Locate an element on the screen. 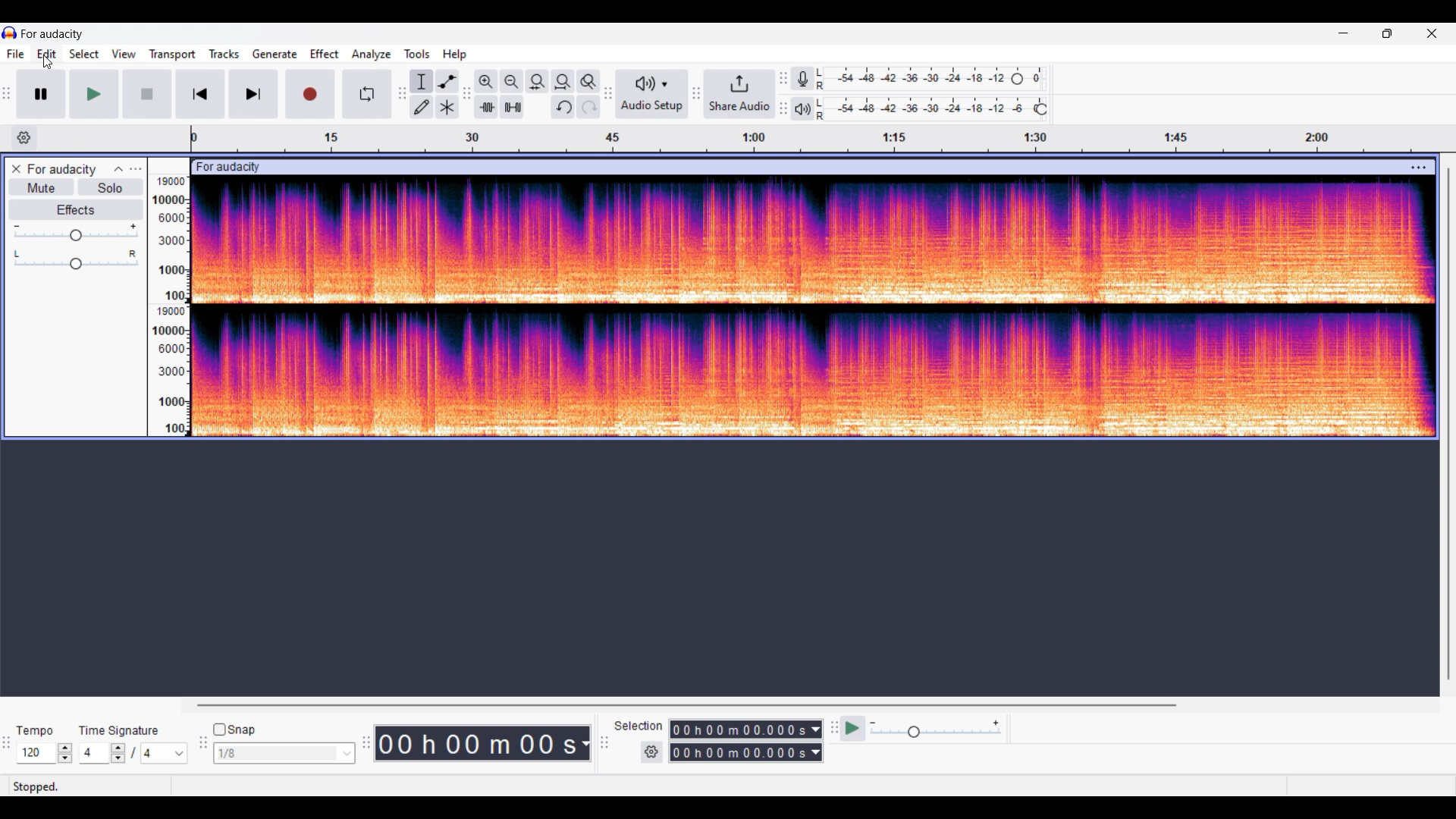 Image resolution: width=1456 pixels, height=819 pixels. Duration measurement options is located at coordinates (585, 743).